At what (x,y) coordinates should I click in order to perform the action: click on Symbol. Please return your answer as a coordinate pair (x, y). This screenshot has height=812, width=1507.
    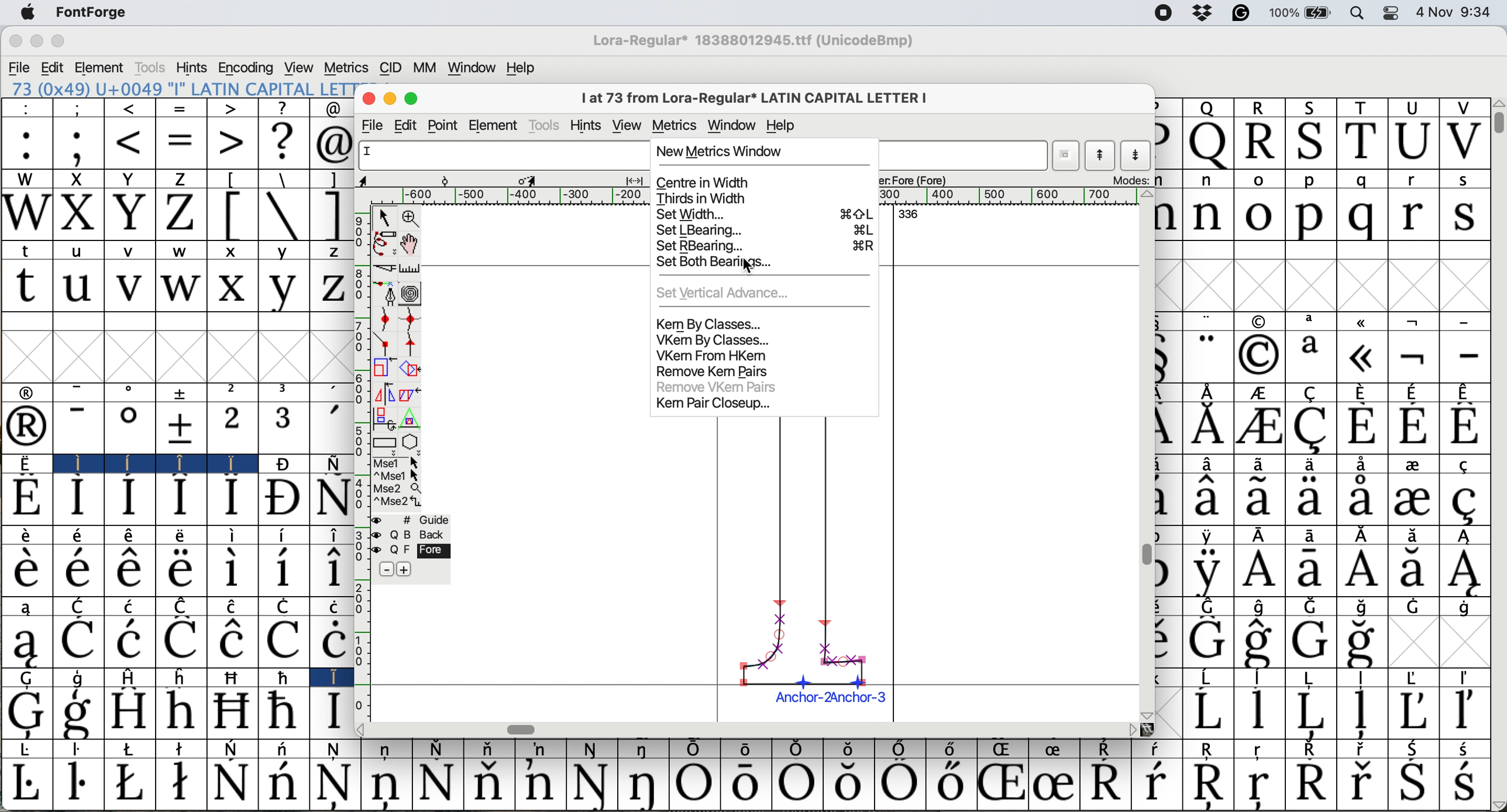
    Looking at the image, I should click on (902, 785).